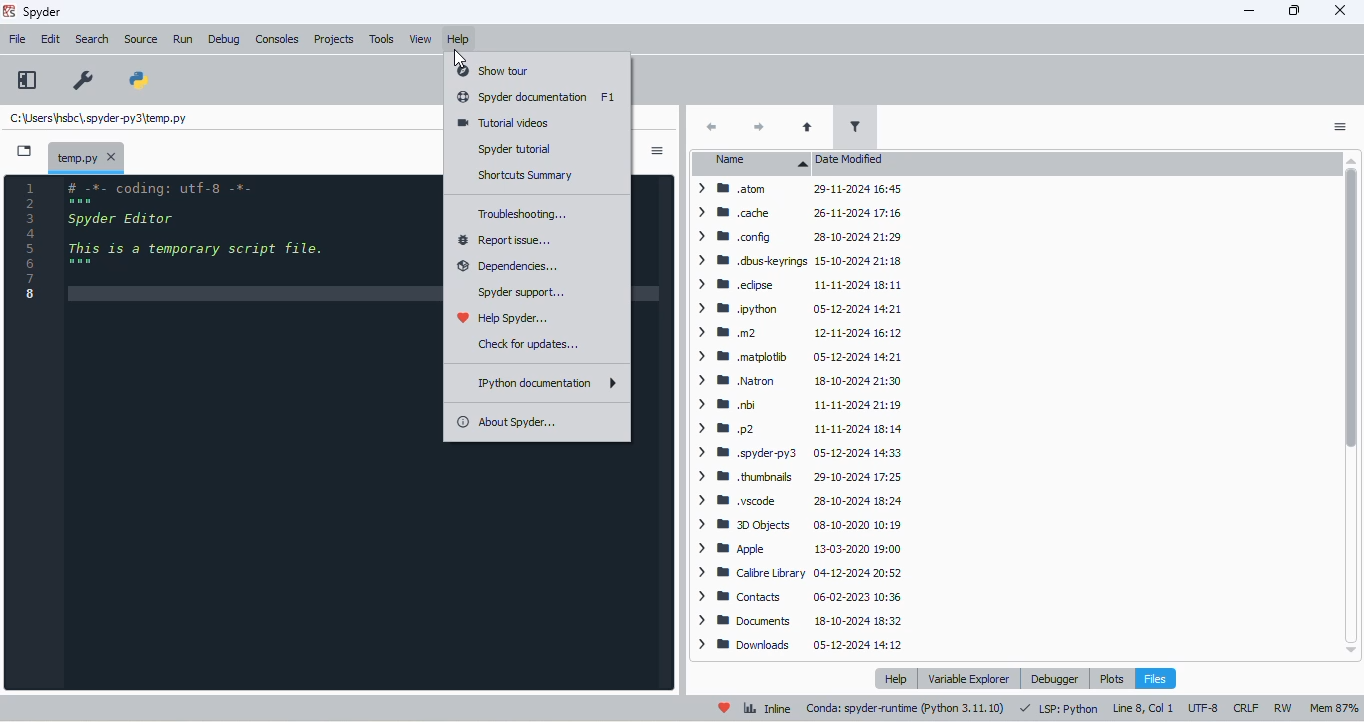 This screenshot has width=1364, height=722. What do you see at coordinates (795, 499) in the screenshot?
I see `> ® .vscode 28-10-2024 18:24` at bounding box center [795, 499].